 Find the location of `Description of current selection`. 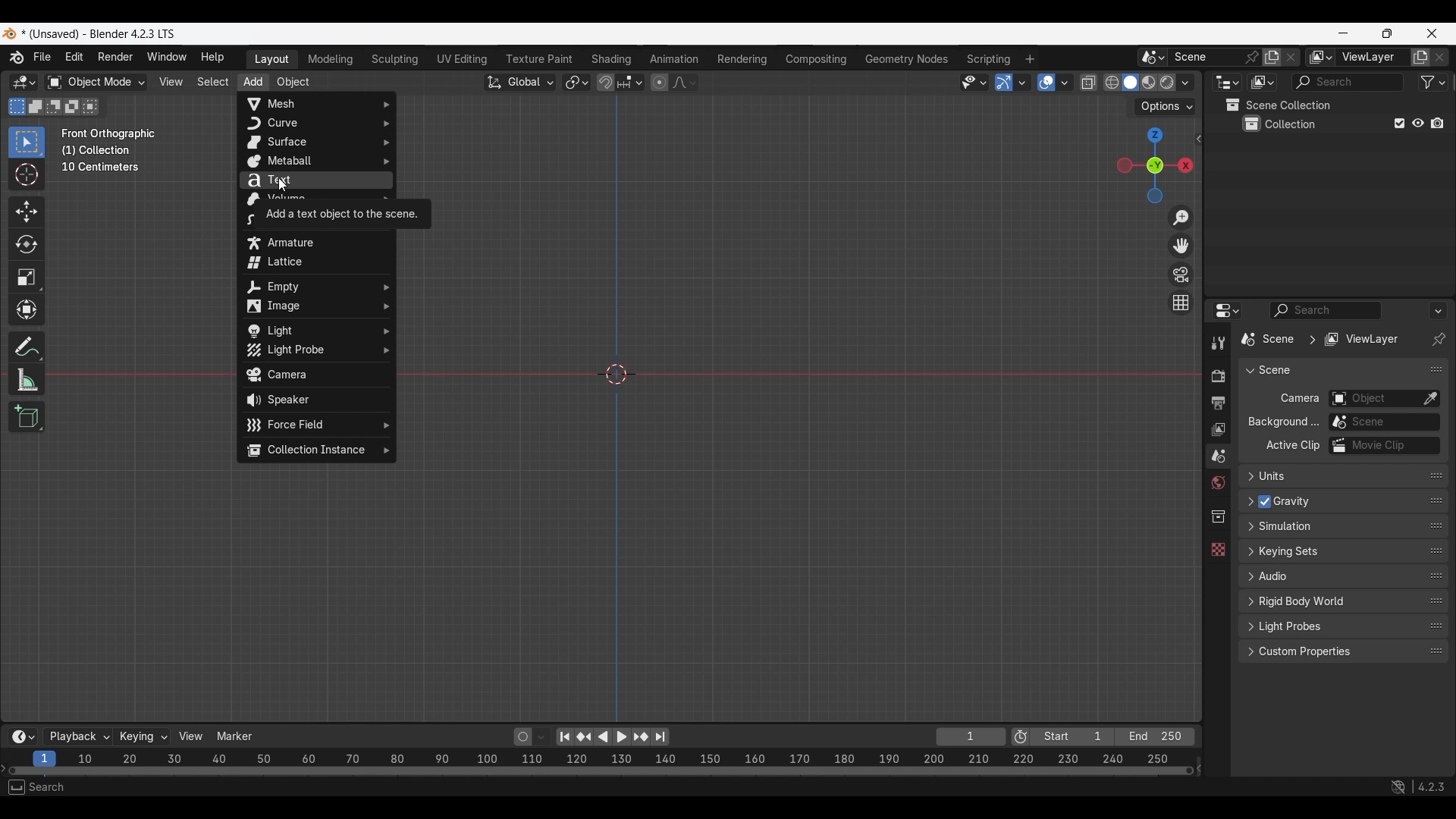

Description of current selection is located at coordinates (347, 216).